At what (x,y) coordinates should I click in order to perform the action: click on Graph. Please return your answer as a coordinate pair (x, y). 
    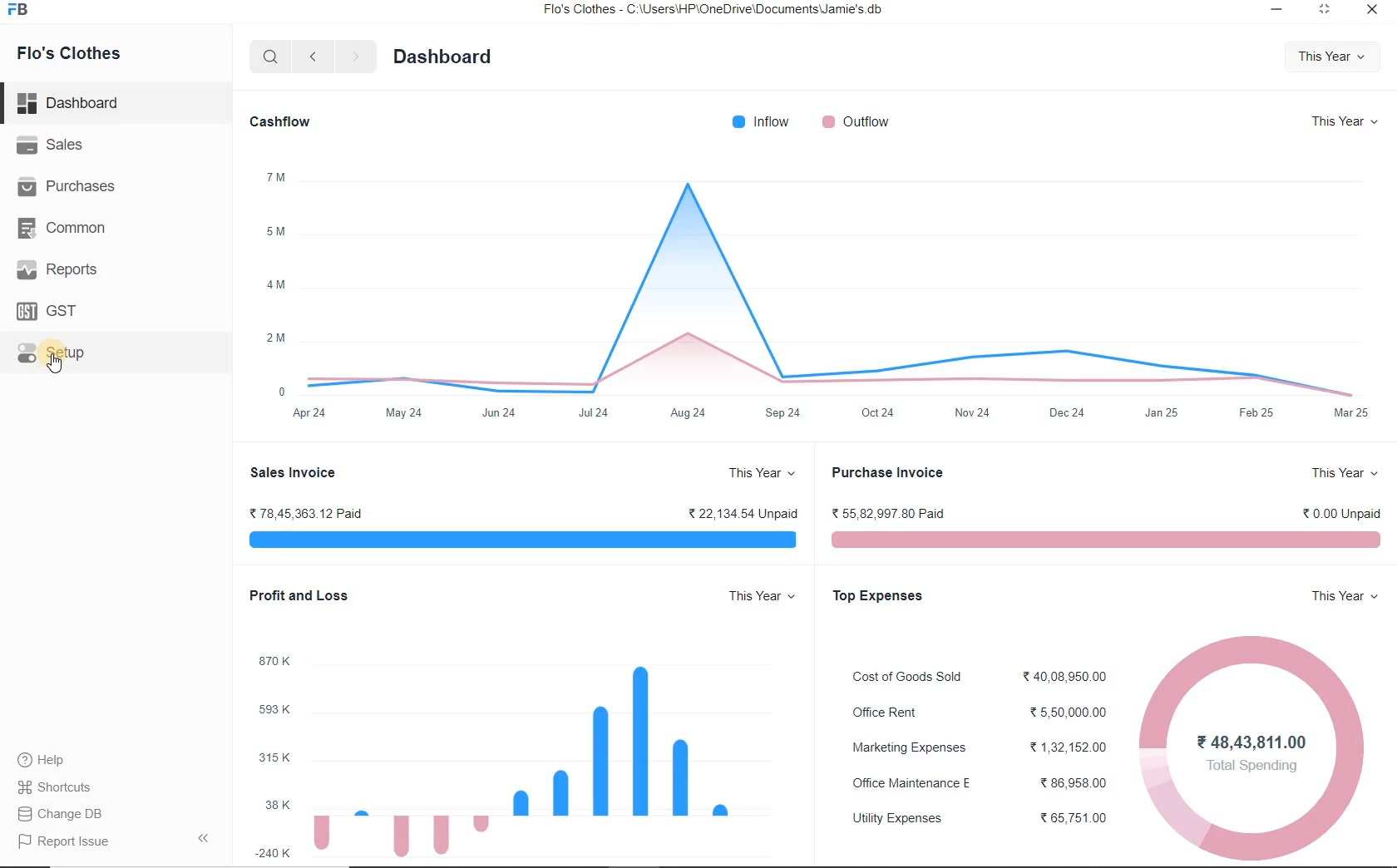
    Looking at the image, I should click on (838, 271).